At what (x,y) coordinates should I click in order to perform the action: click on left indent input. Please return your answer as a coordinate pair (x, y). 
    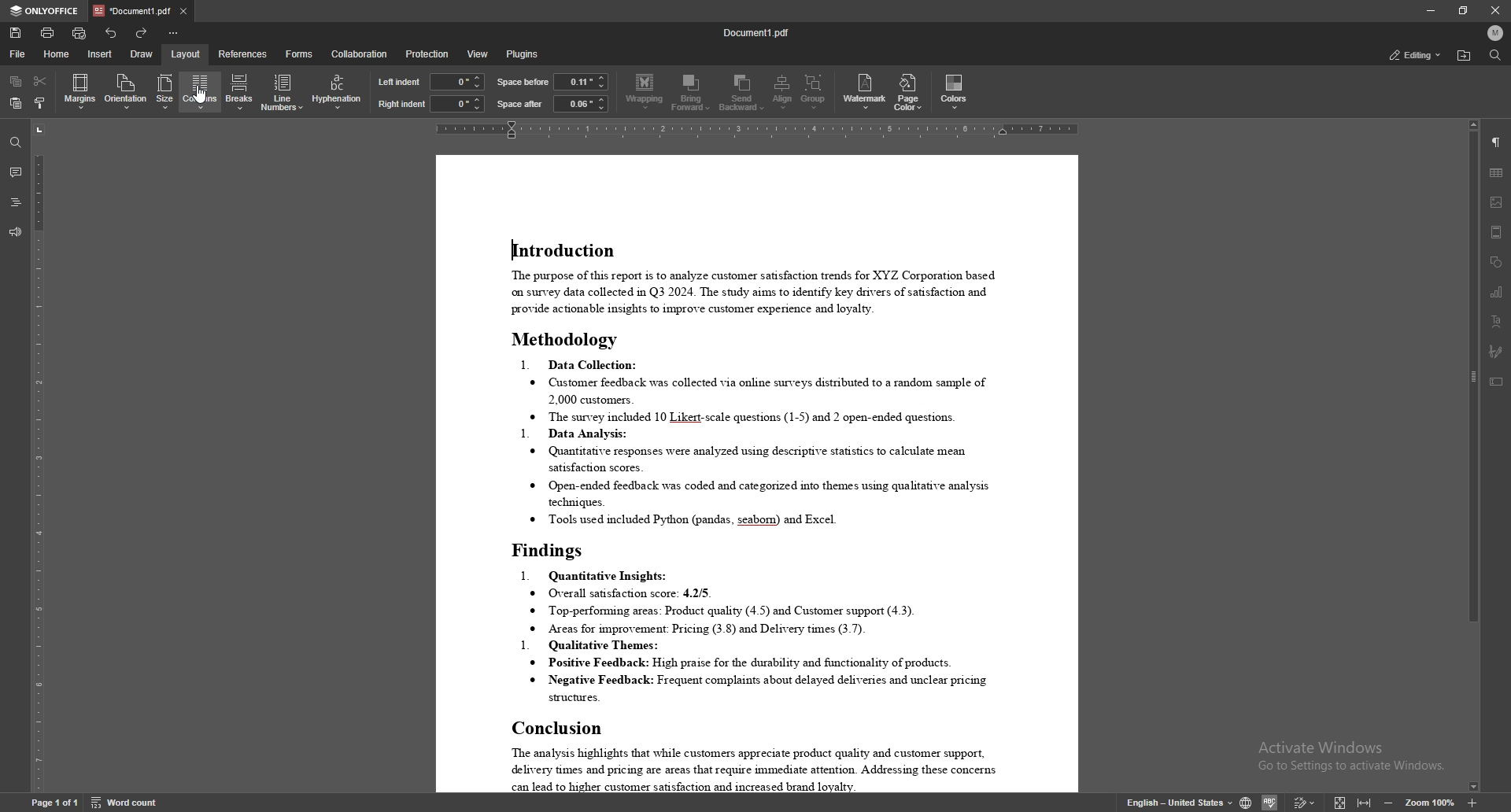
    Looking at the image, I should click on (458, 82).